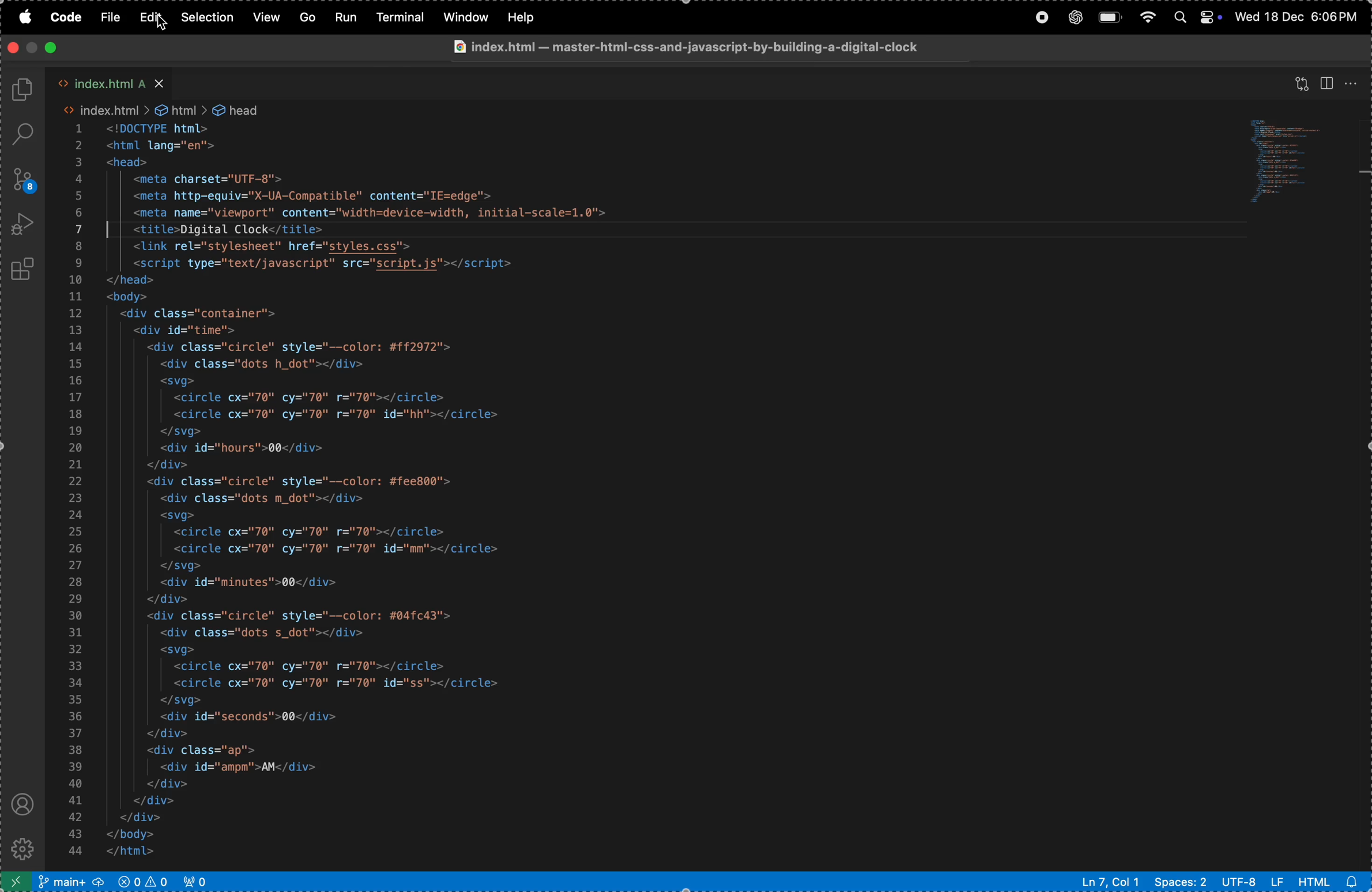  What do you see at coordinates (24, 90) in the screenshot?
I see `explore` at bounding box center [24, 90].